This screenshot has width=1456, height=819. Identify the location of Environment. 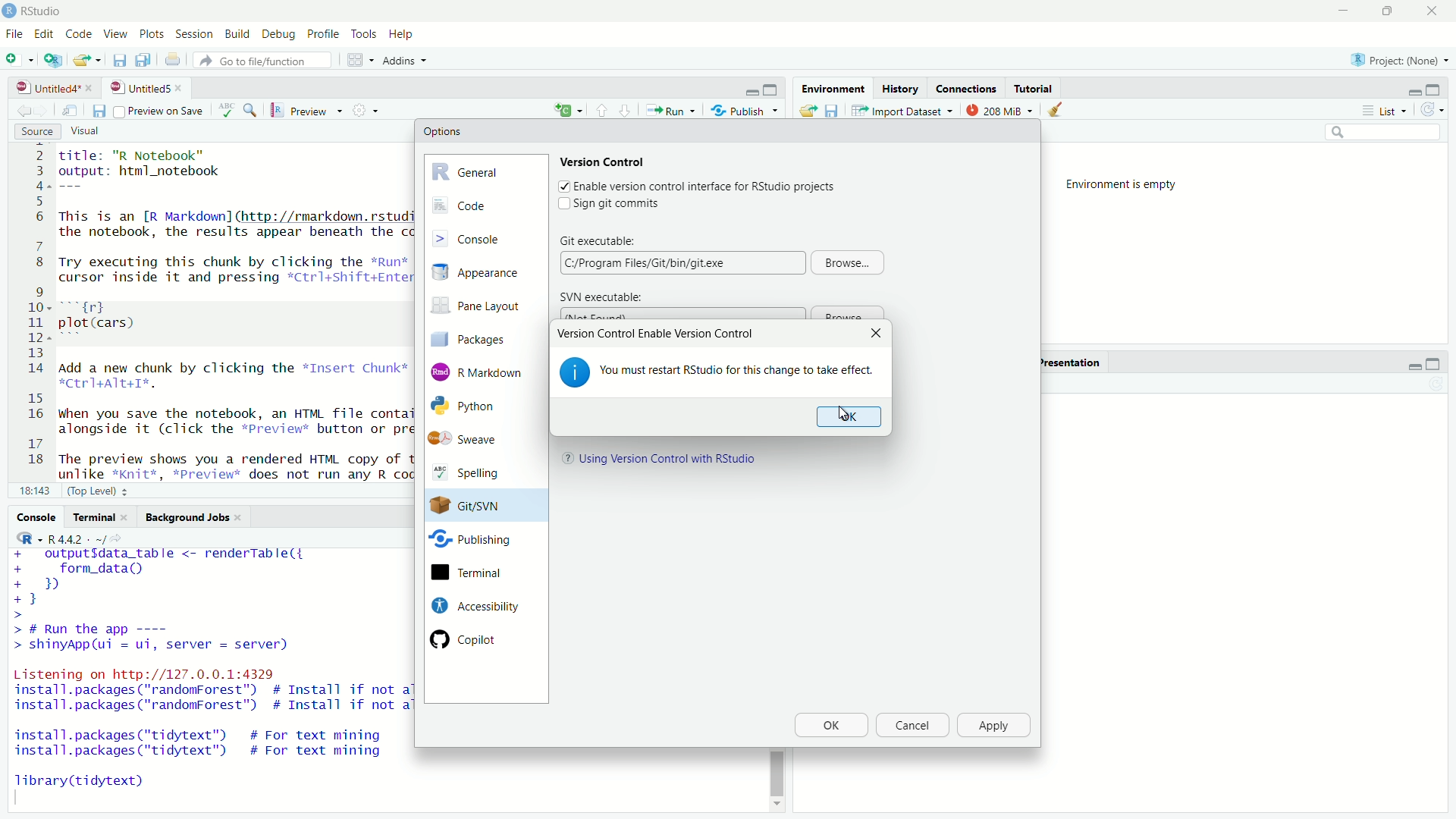
(831, 88).